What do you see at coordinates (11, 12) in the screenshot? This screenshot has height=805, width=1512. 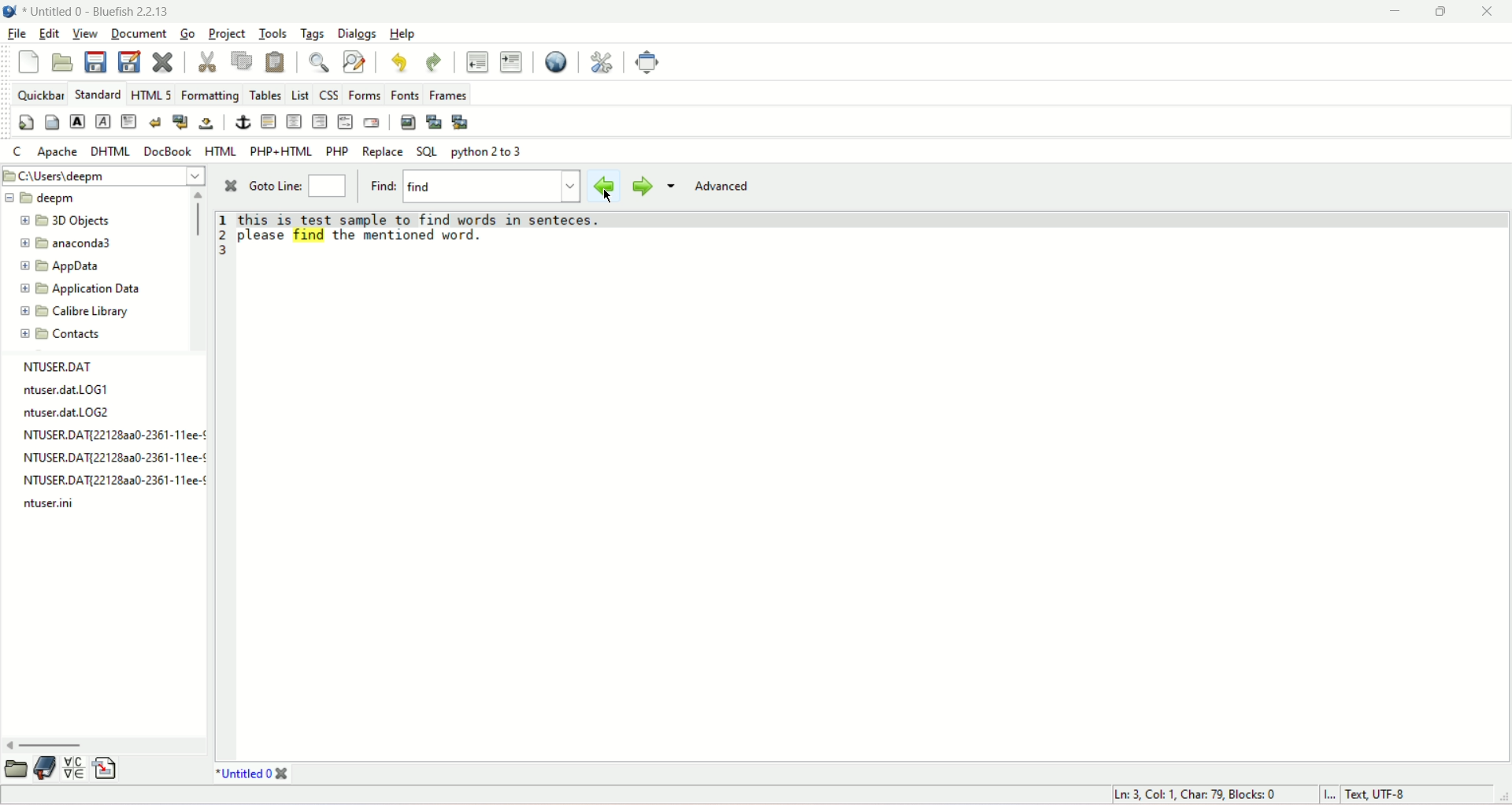 I see `logo` at bounding box center [11, 12].